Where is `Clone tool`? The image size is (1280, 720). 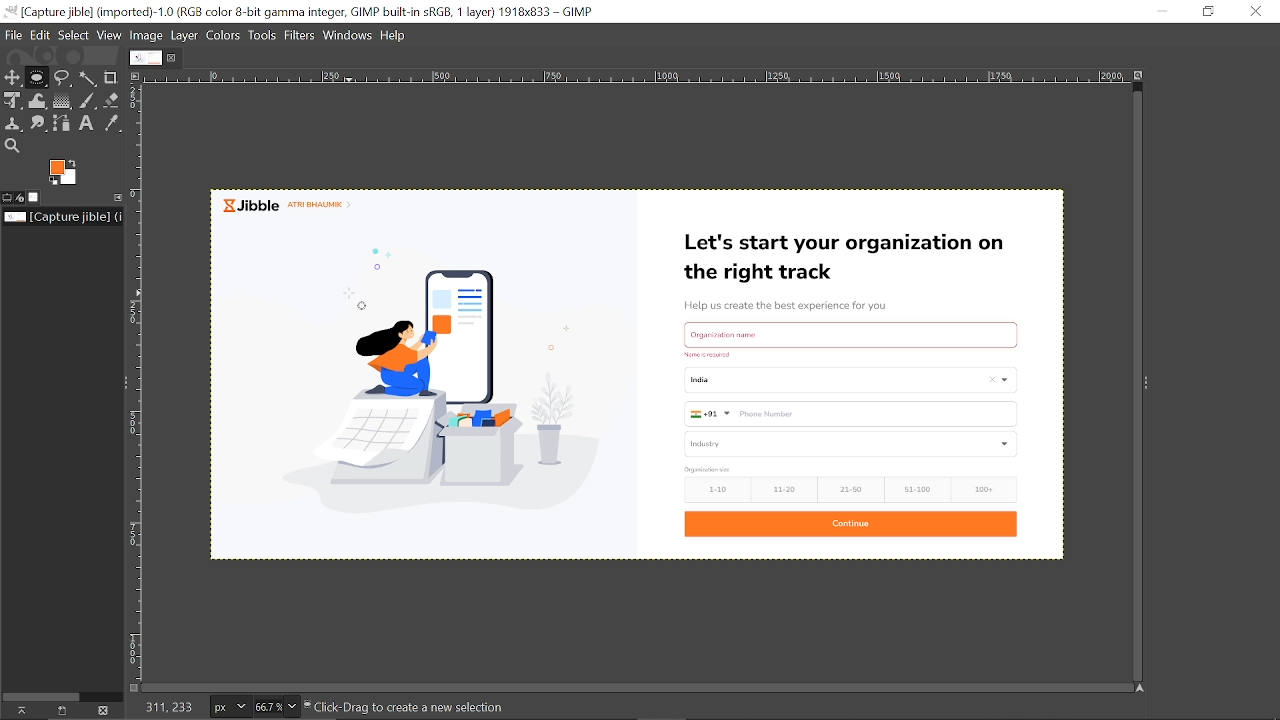
Clone tool is located at coordinates (16, 123).